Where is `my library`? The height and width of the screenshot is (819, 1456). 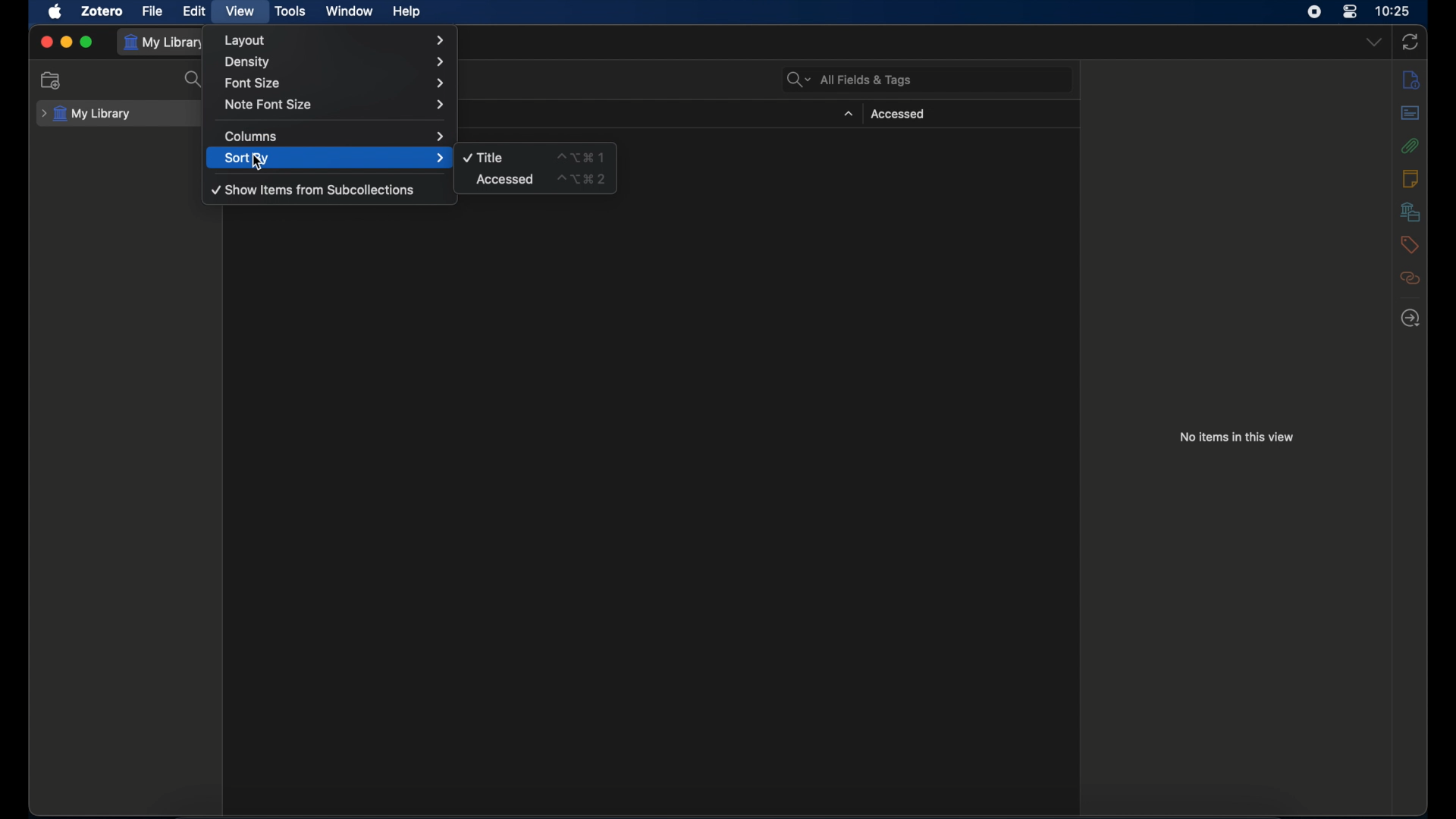 my library is located at coordinates (86, 114).